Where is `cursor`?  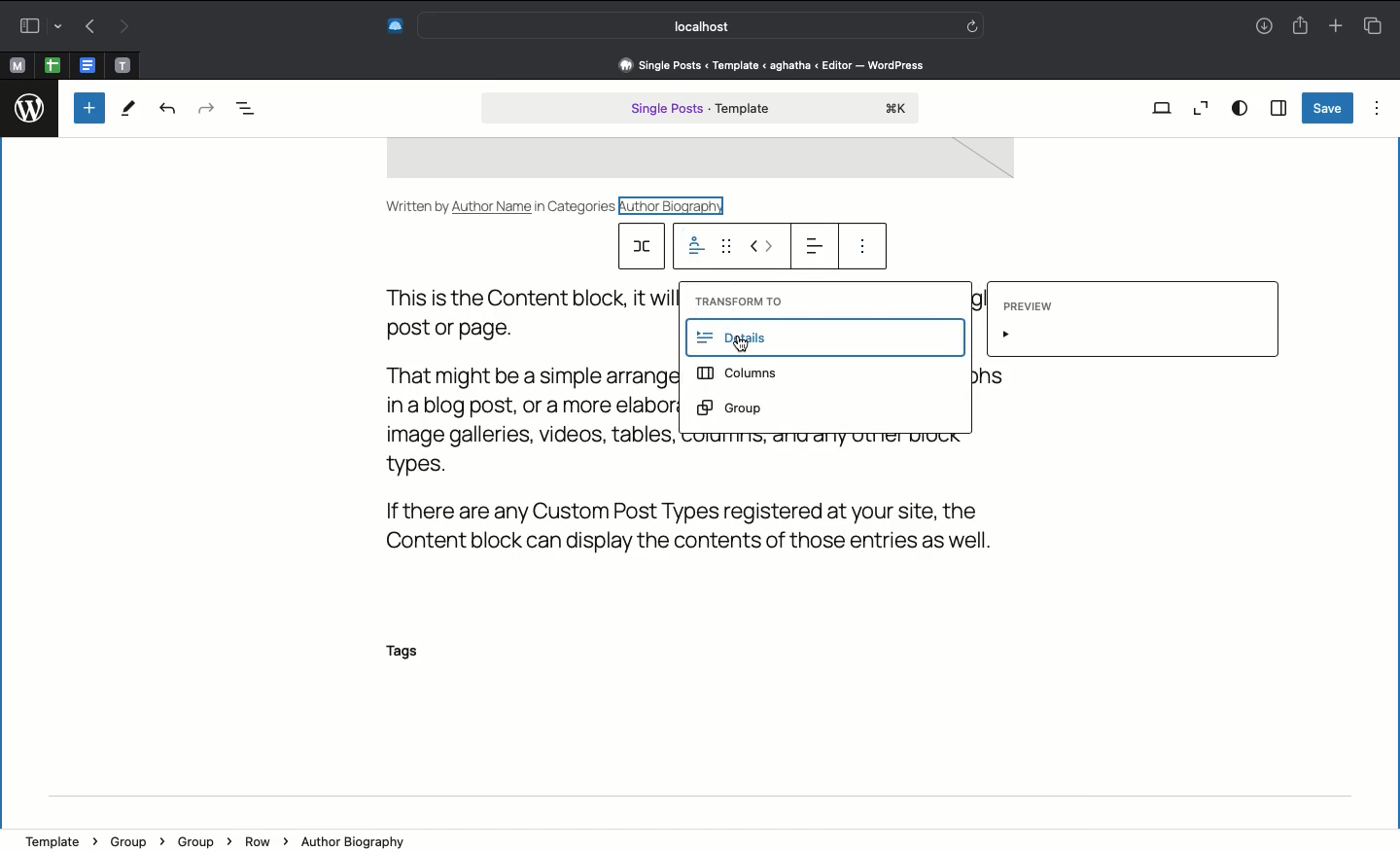
cursor is located at coordinates (746, 347).